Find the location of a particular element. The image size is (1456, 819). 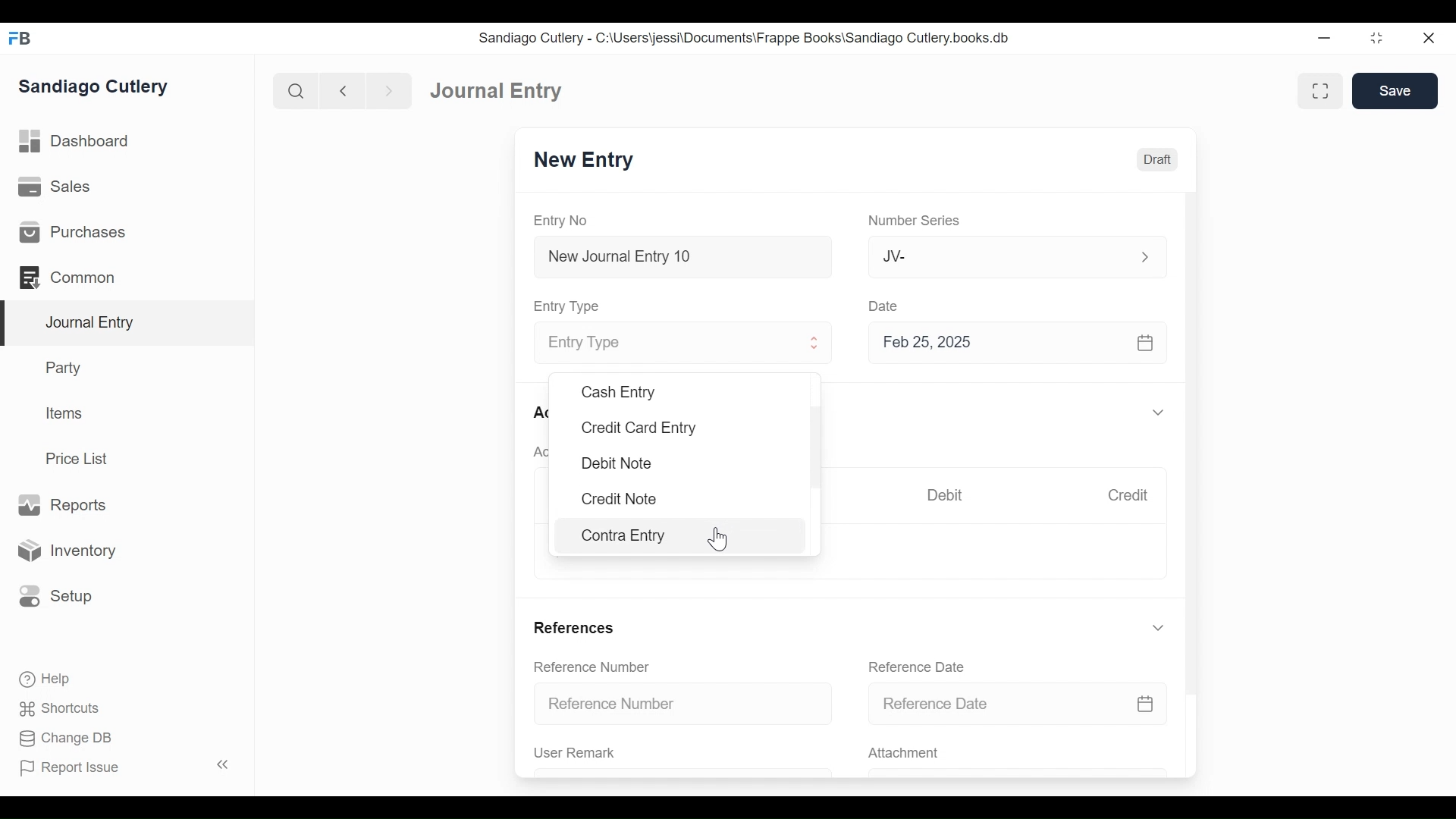

Sandiago Cutlery is located at coordinates (94, 87).